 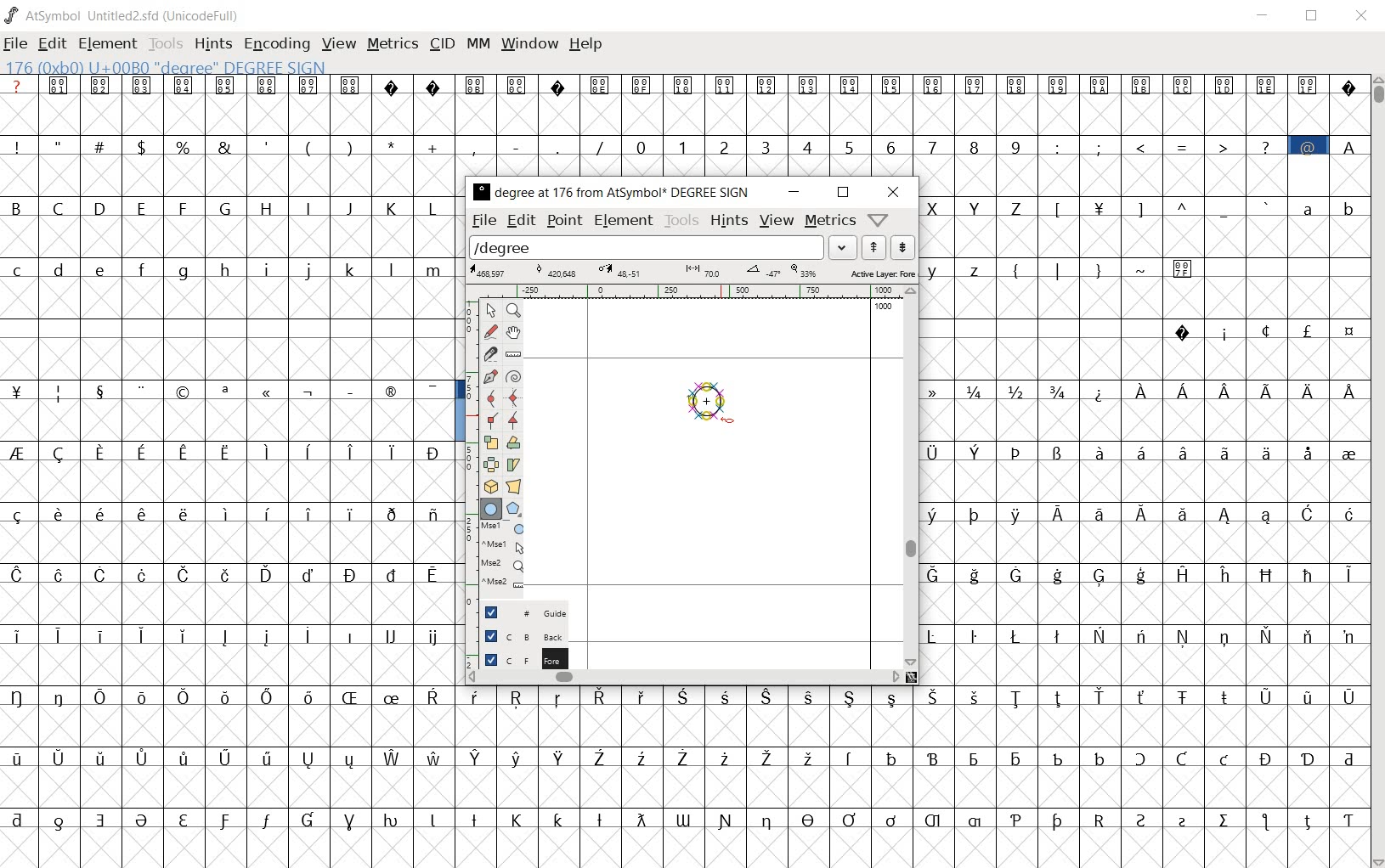 What do you see at coordinates (685, 817) in the screenshot?
I see `special letters` at bounding box center [685, 817].